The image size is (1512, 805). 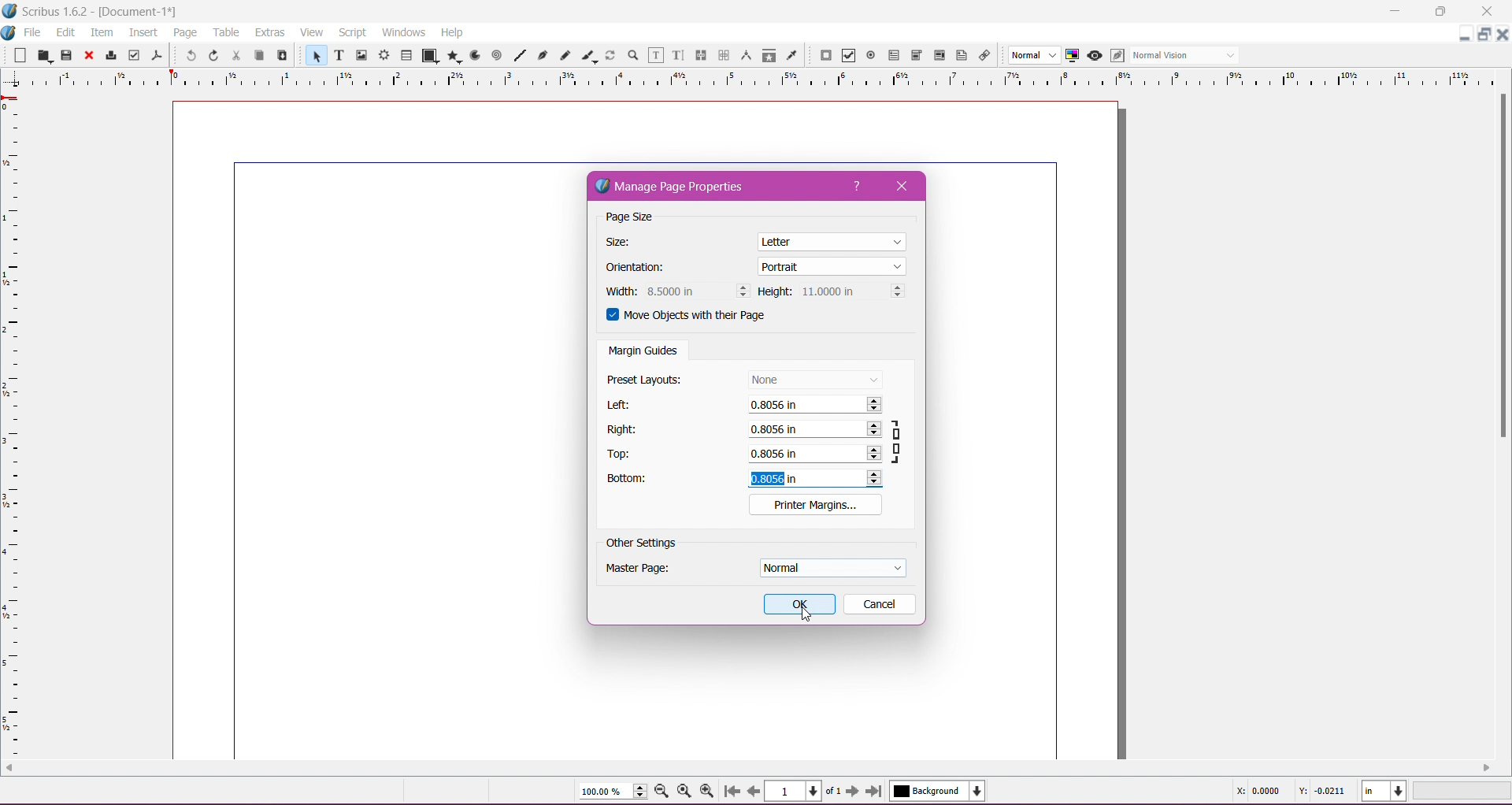 I want to click on Help, so click(x=858, y=187).